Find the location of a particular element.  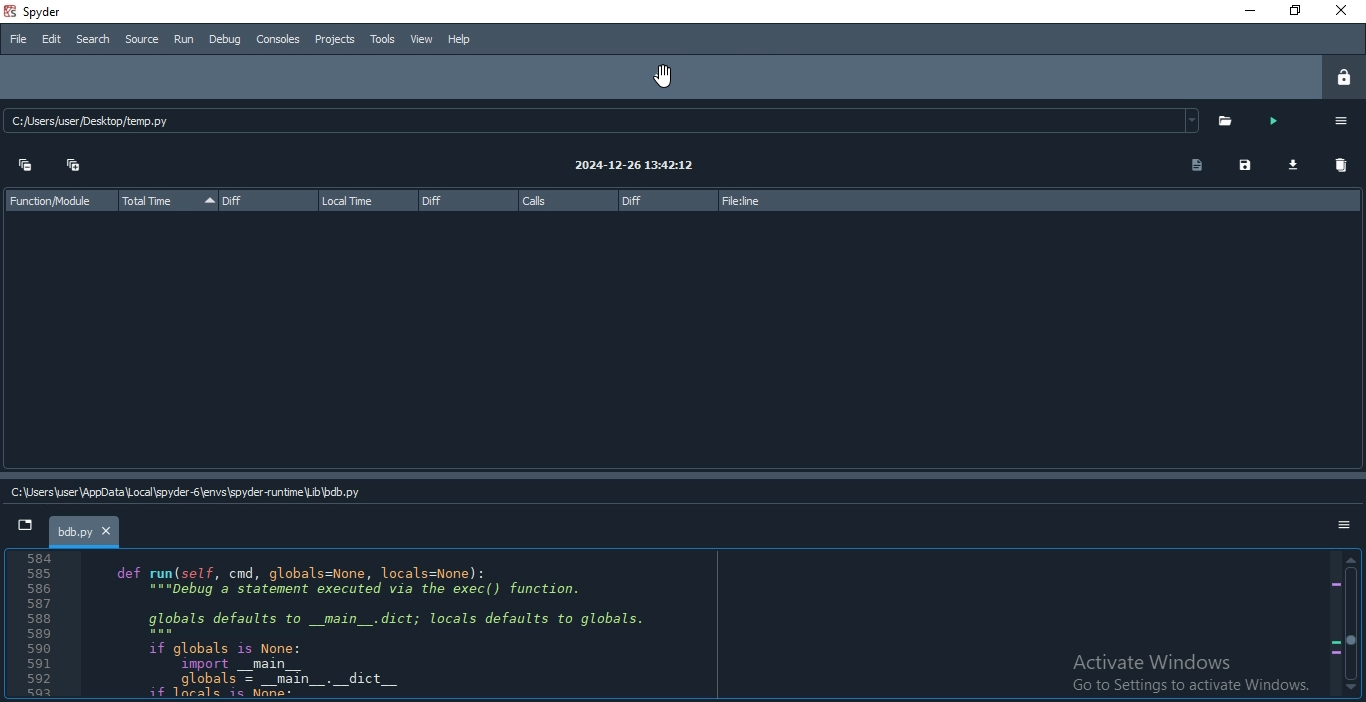

scroll bar is located at coordinates (1351, 626).